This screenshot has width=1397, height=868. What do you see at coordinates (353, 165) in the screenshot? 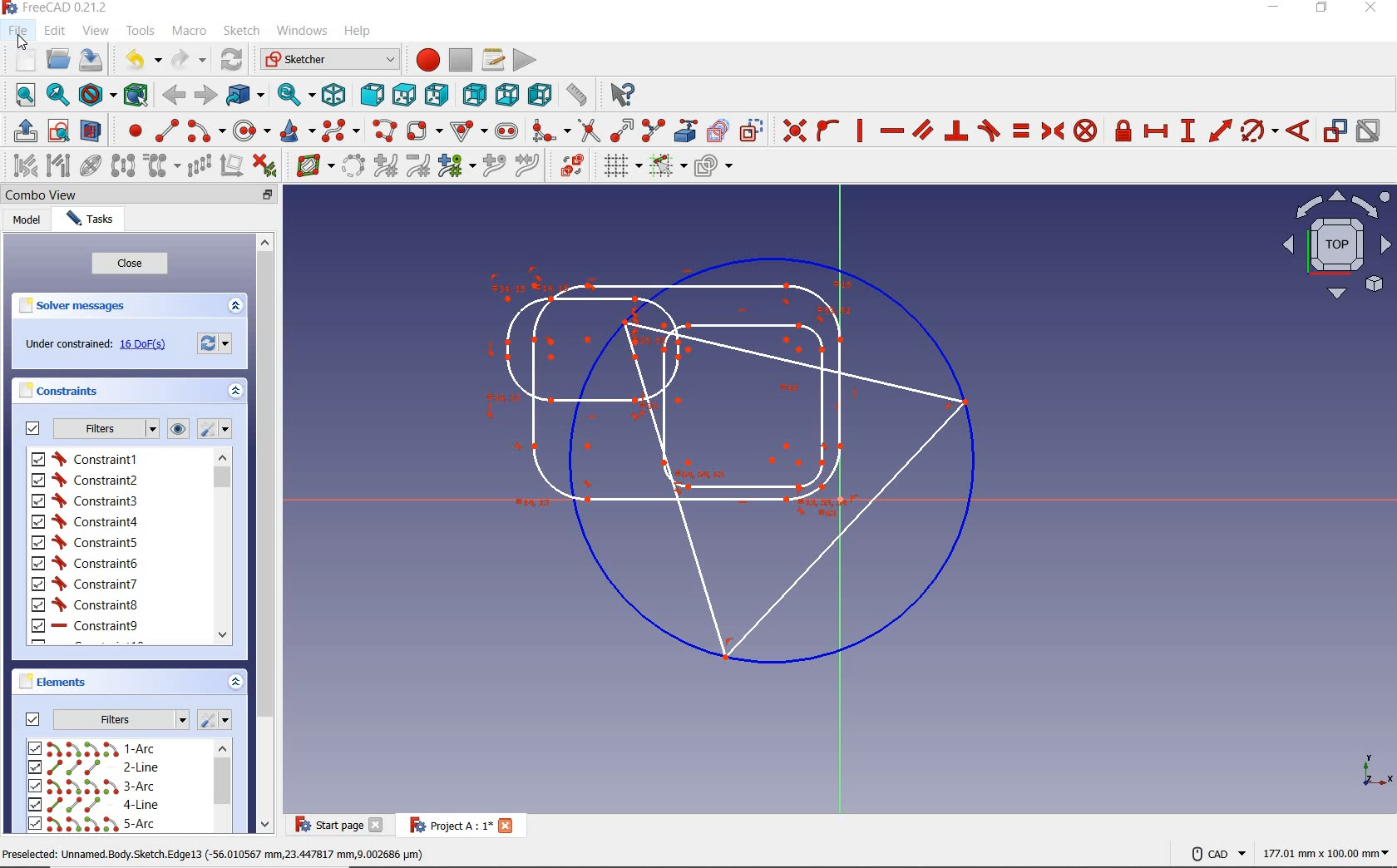
I see `convert geometry  to B-spline` at bounding box center [353, 165].